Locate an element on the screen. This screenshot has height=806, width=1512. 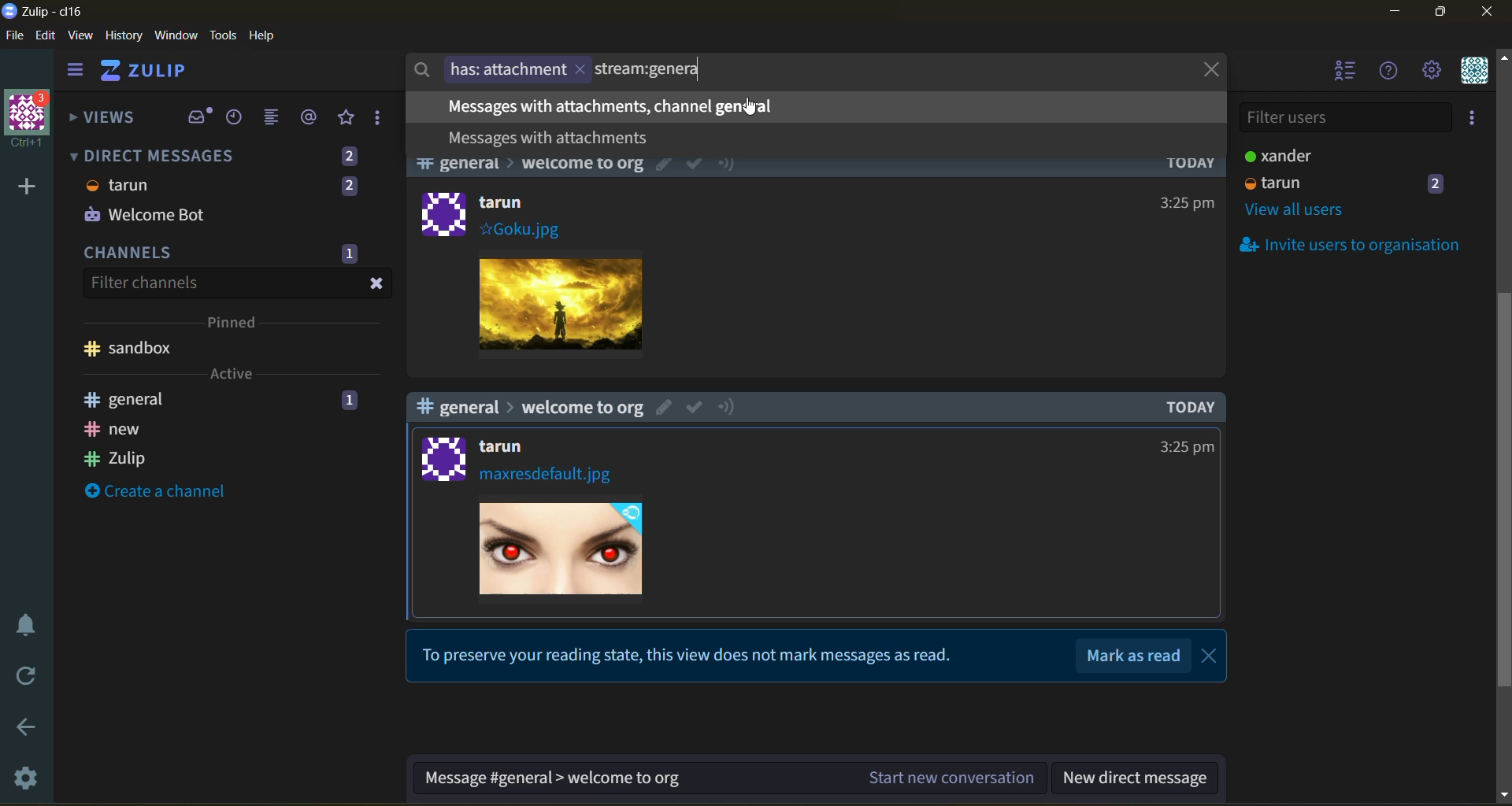
# new is located at coordinates (114, 430).